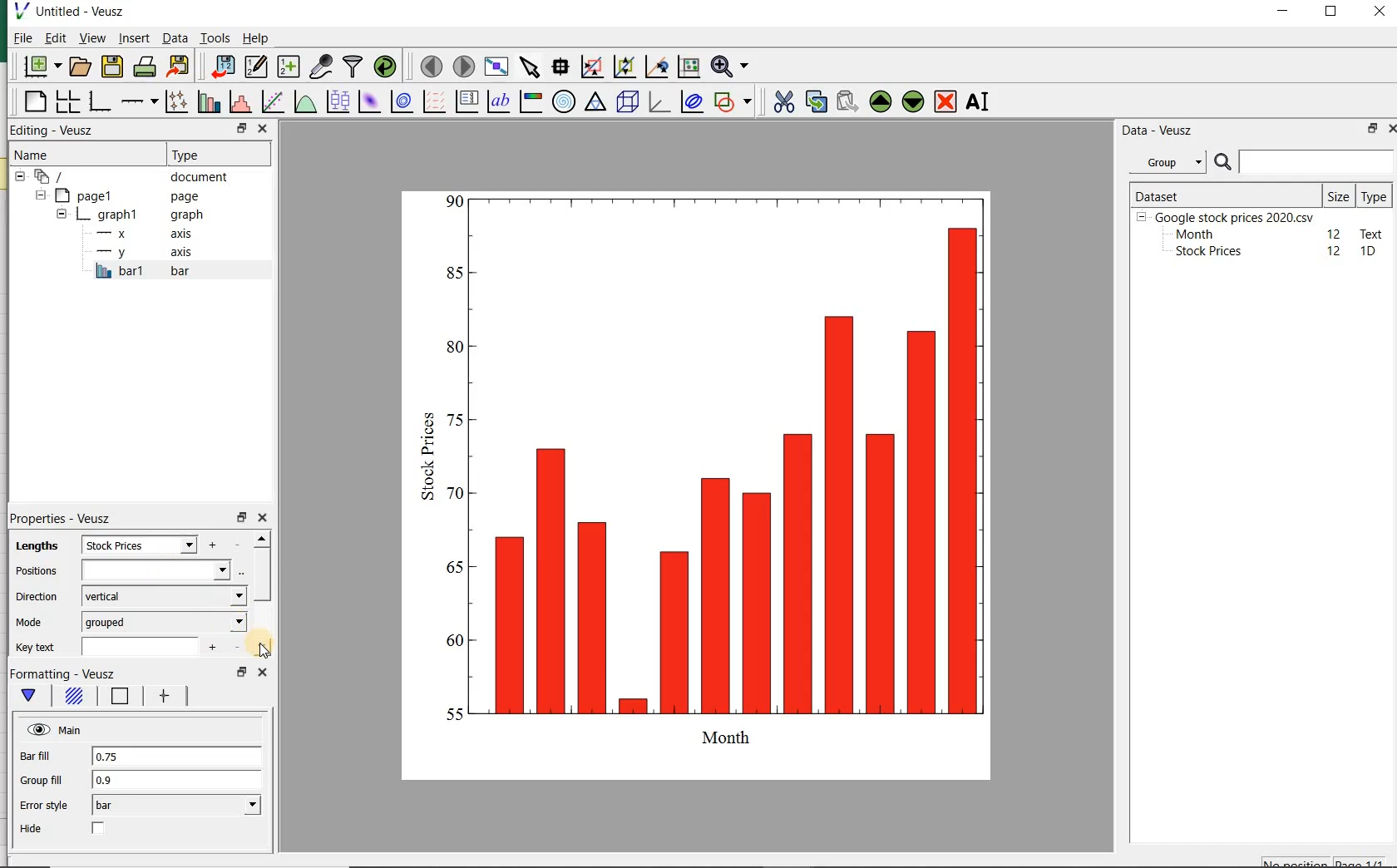 The width and height of the screenshot is (1397, 868). Describe the element at coordinates (1335, 233) in the screenshot. I see `12` at that location.